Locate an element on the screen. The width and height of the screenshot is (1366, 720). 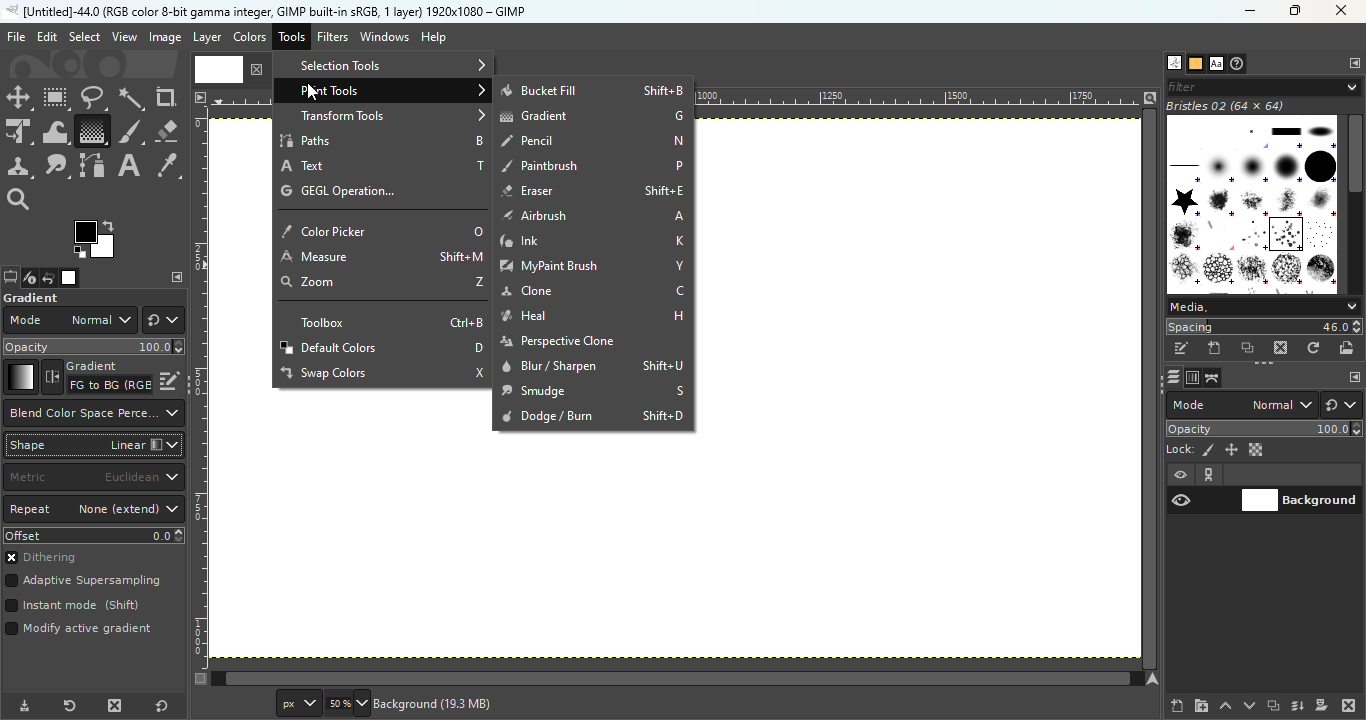
open the fonts tab is located at coordinates (1216, 64).